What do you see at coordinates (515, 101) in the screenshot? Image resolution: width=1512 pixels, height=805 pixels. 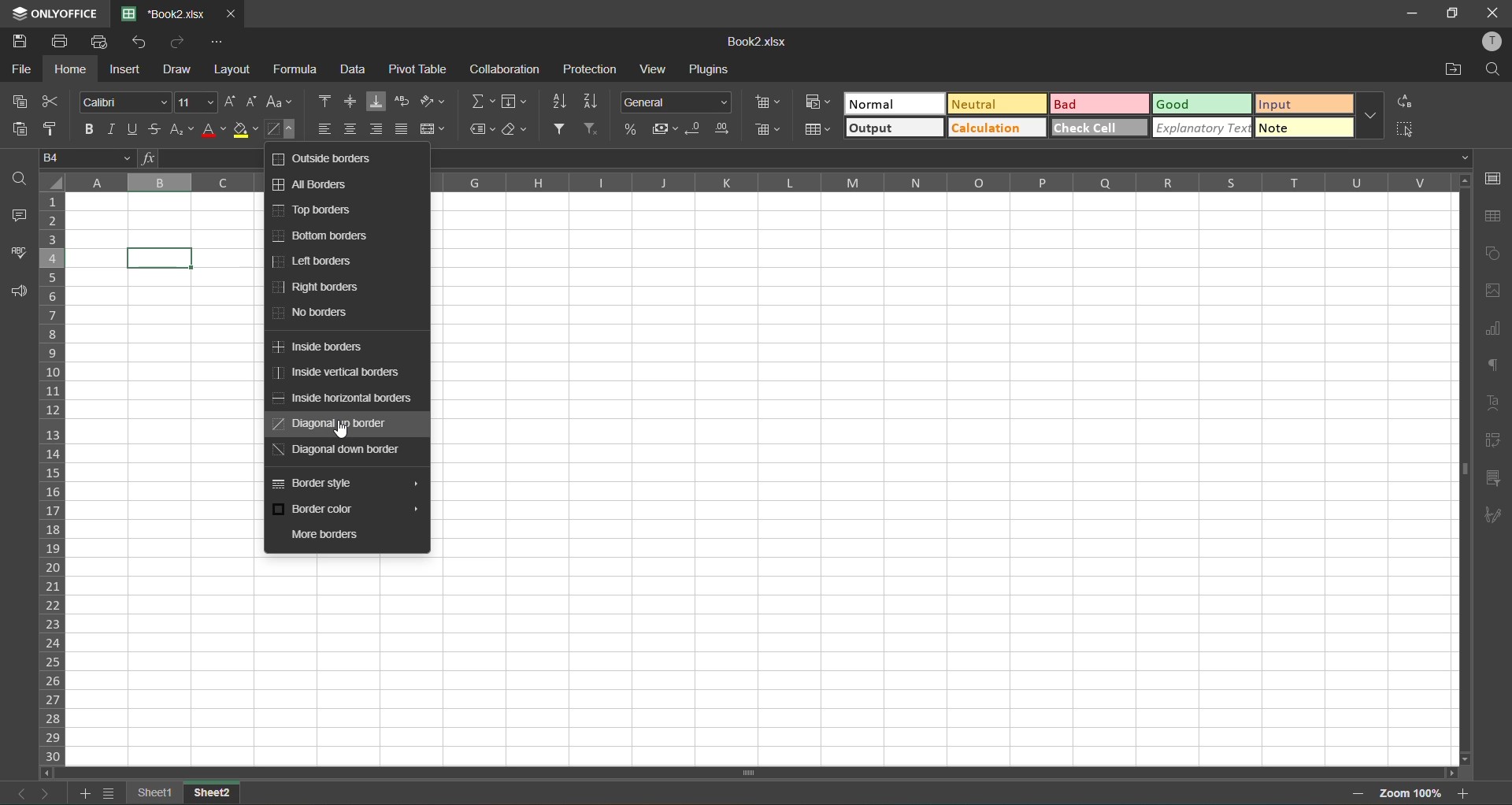 I see `fields` at bounding box center [515, 101].